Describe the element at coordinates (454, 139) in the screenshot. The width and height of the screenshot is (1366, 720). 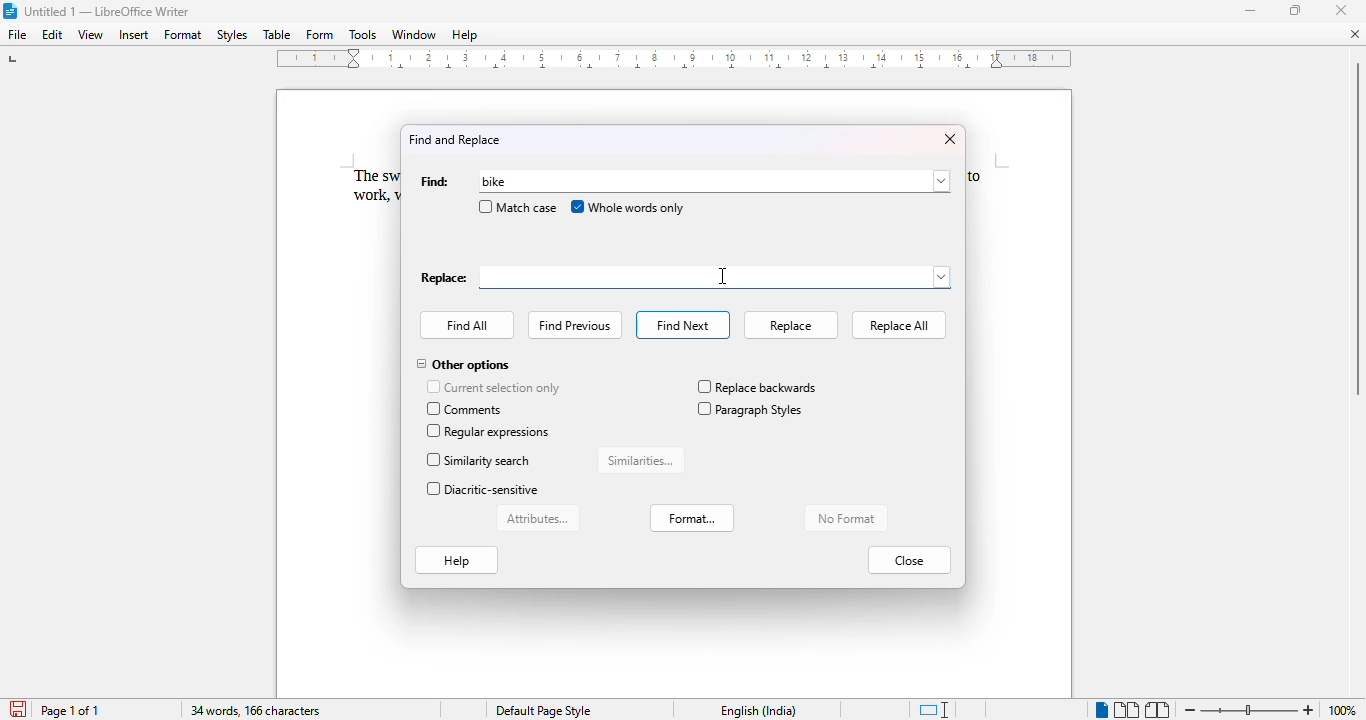
I see `find and replace` at that location.